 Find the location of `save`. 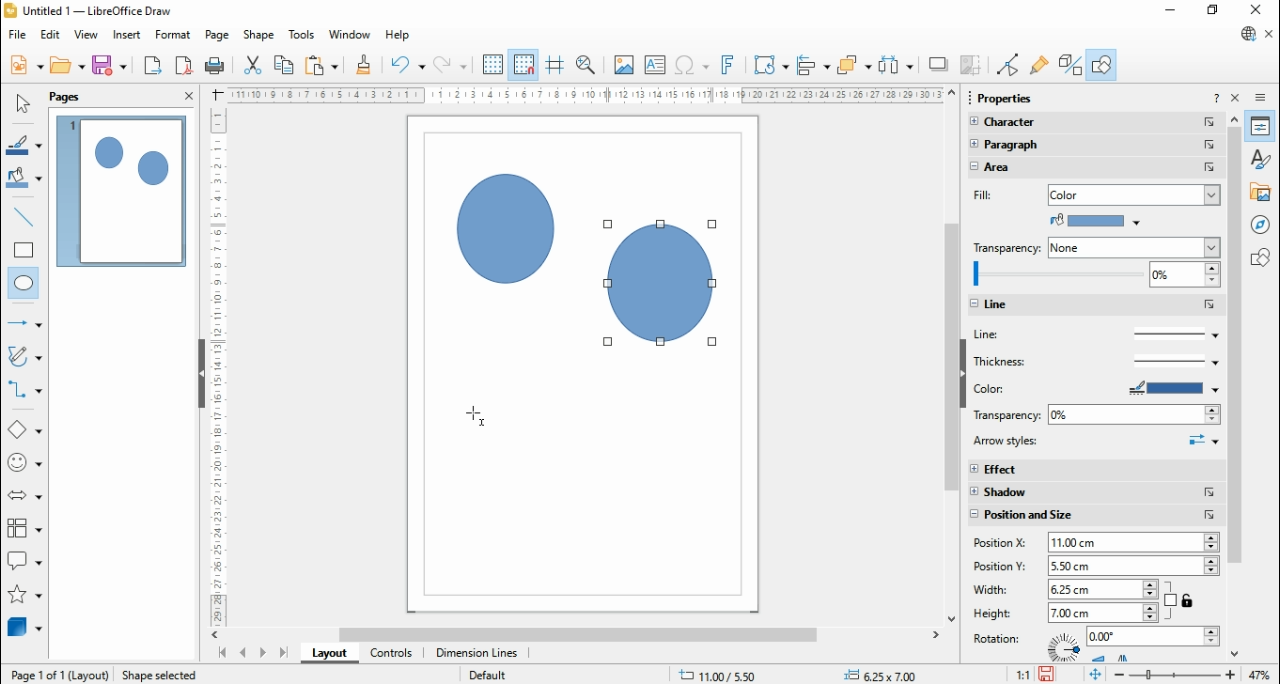

save is located at coordinates (109, 65).